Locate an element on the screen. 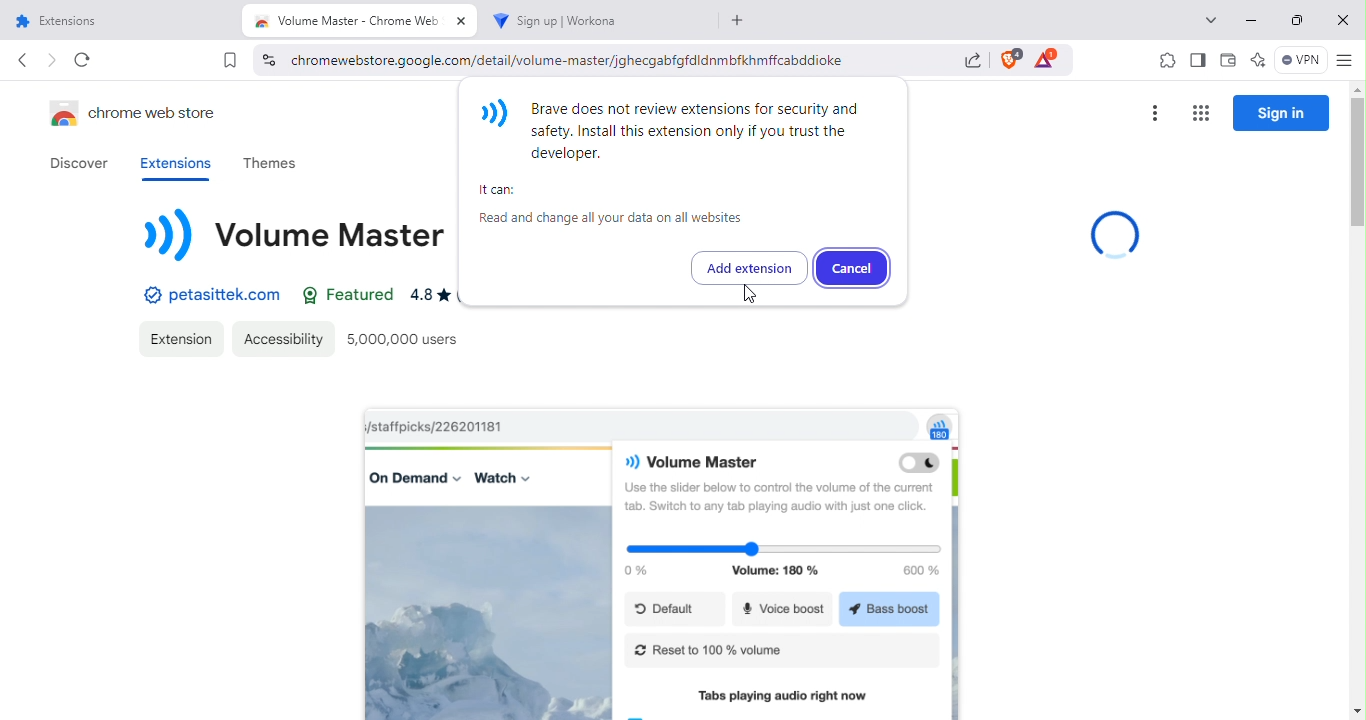 The image size is (1366, 720). volume master chrome web is located at coordinates (359, 20).